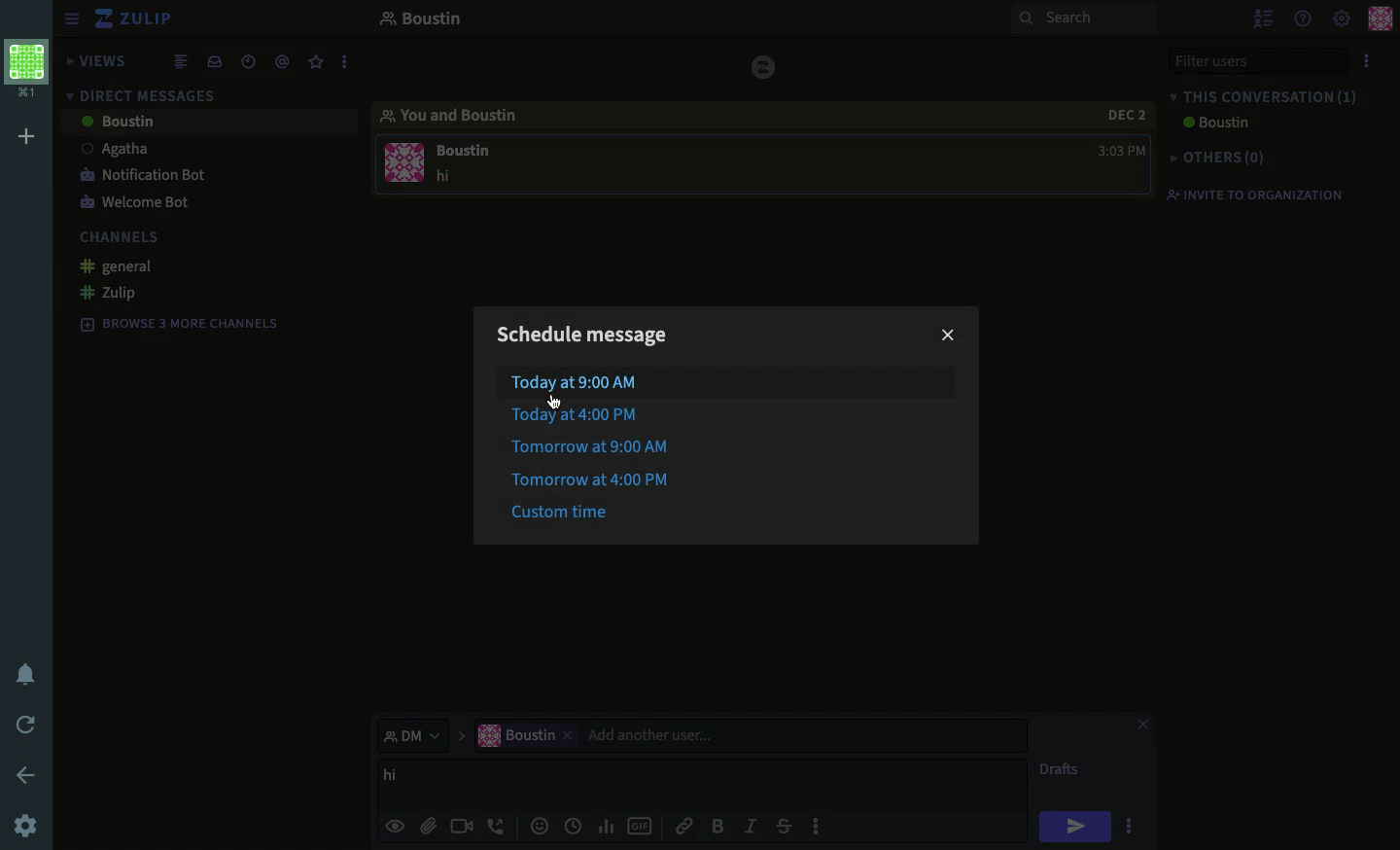 This screenshot has width=1400, height=850. Describe the element at coordinates (1304, 18) in the screenshot. I see `help` at that location.